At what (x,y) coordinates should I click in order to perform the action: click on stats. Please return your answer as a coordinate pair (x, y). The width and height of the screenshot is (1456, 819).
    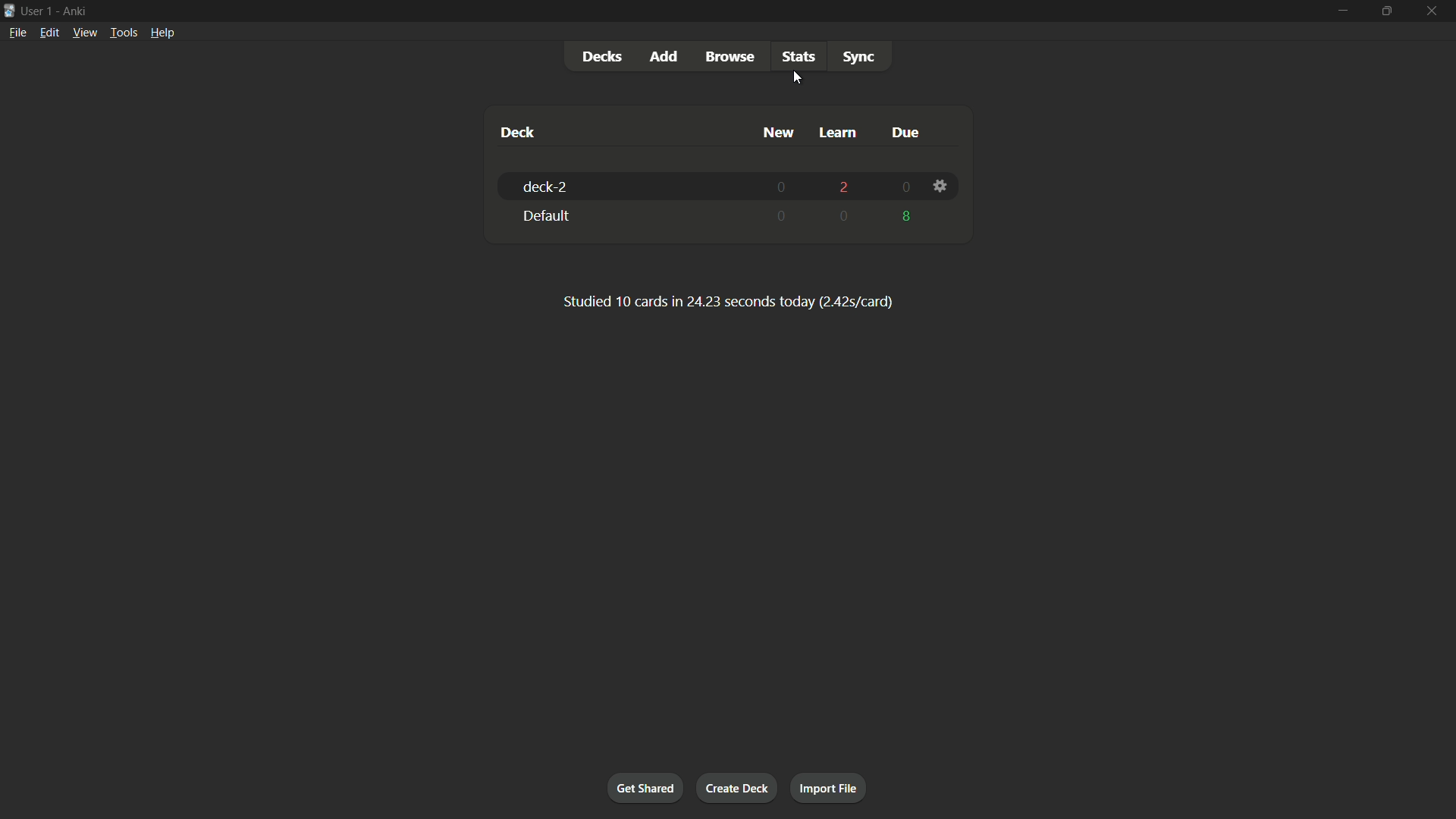
    Looking at the image, I should click on (800, 55).